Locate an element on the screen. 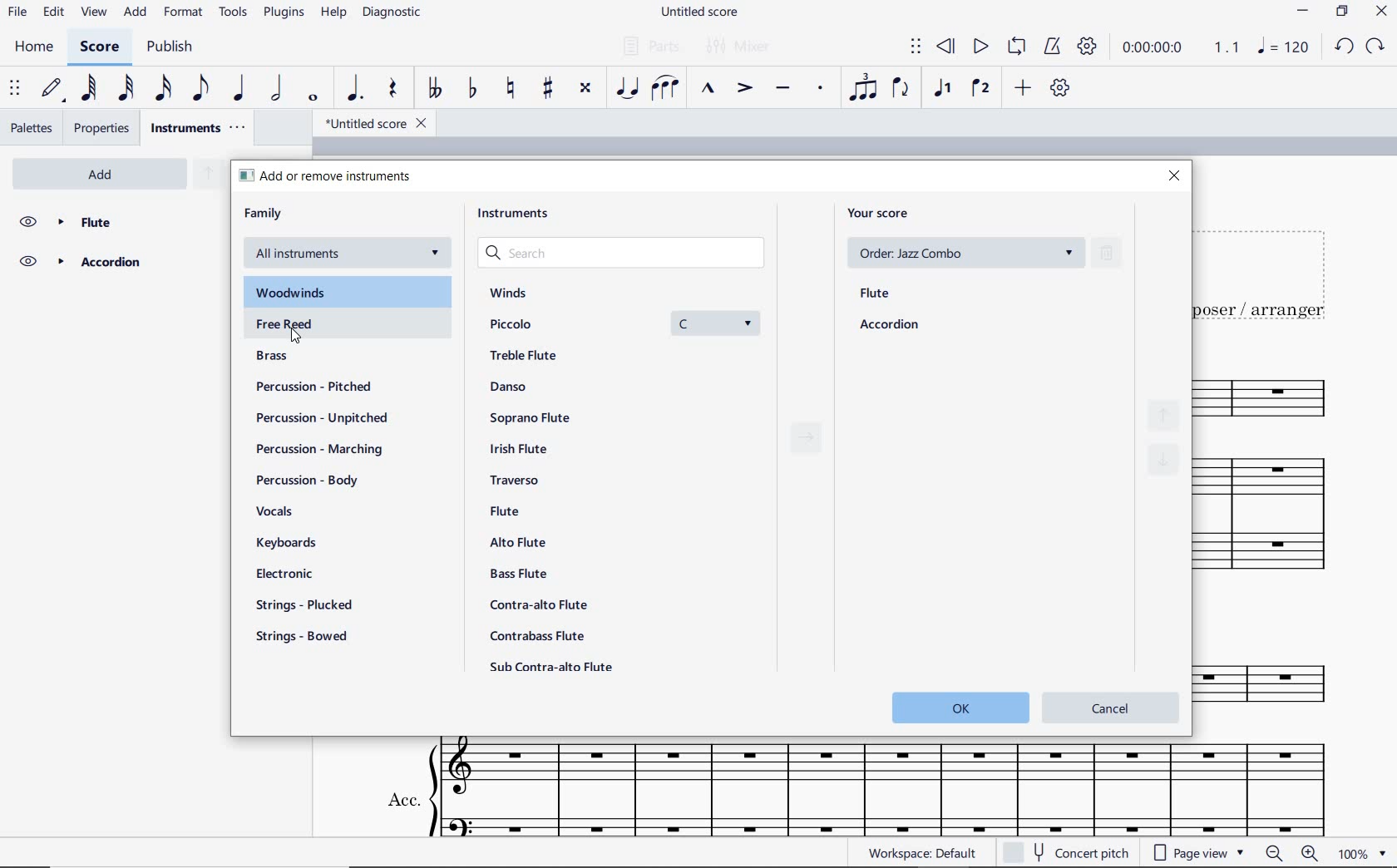  brass is located at coordinates (270, 358).